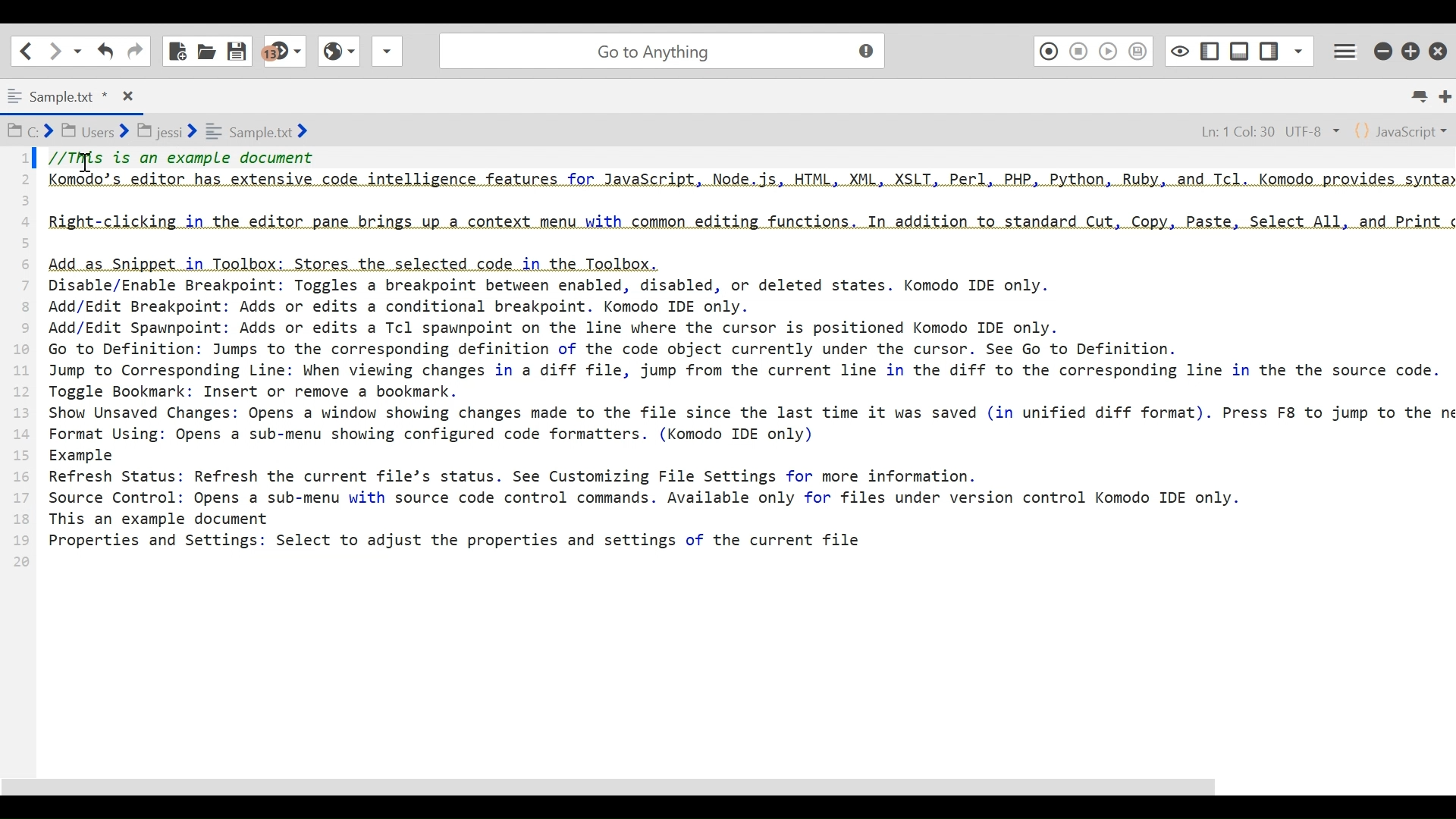 The width and height of the screenshot is (1456, 819). Describe the element at coordinates (1079, 51) in the screenshot. I see `Stop Recording Macro` at that location.